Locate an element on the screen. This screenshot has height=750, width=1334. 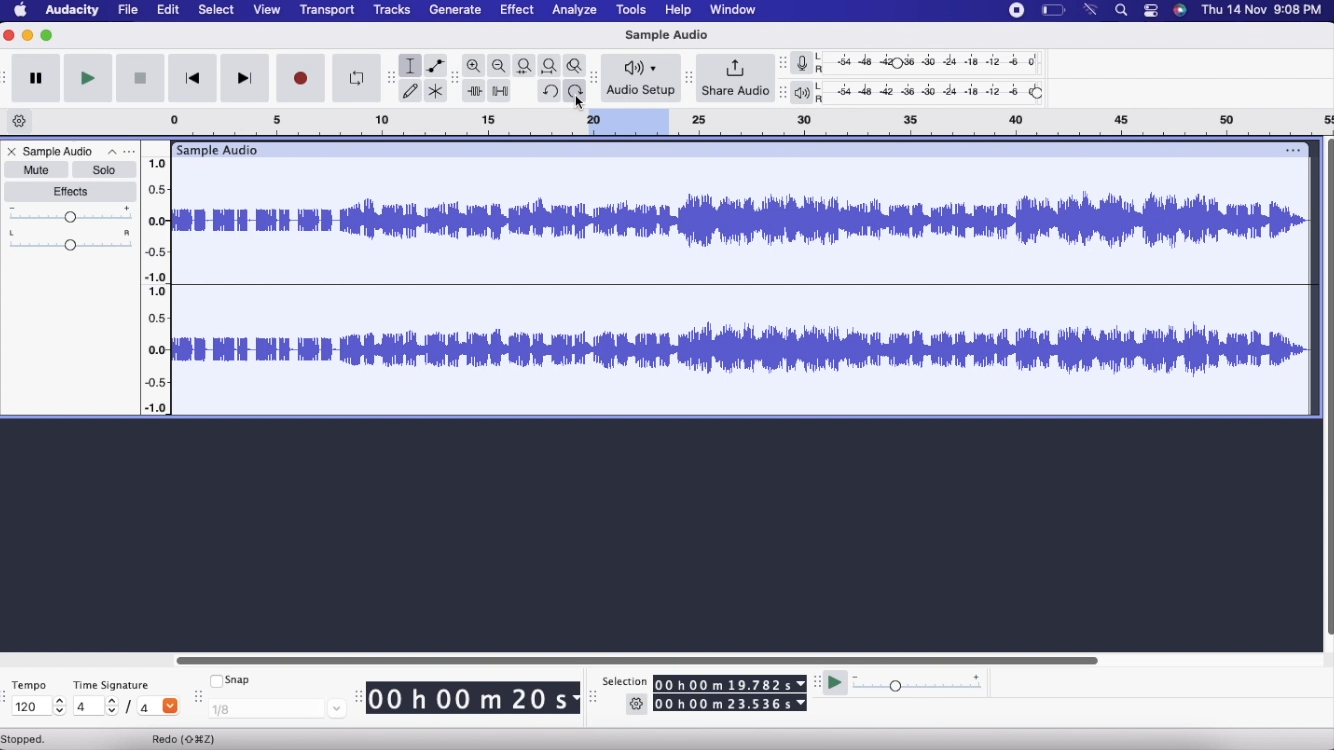
Timeline options is located at coordinates (18, 121).